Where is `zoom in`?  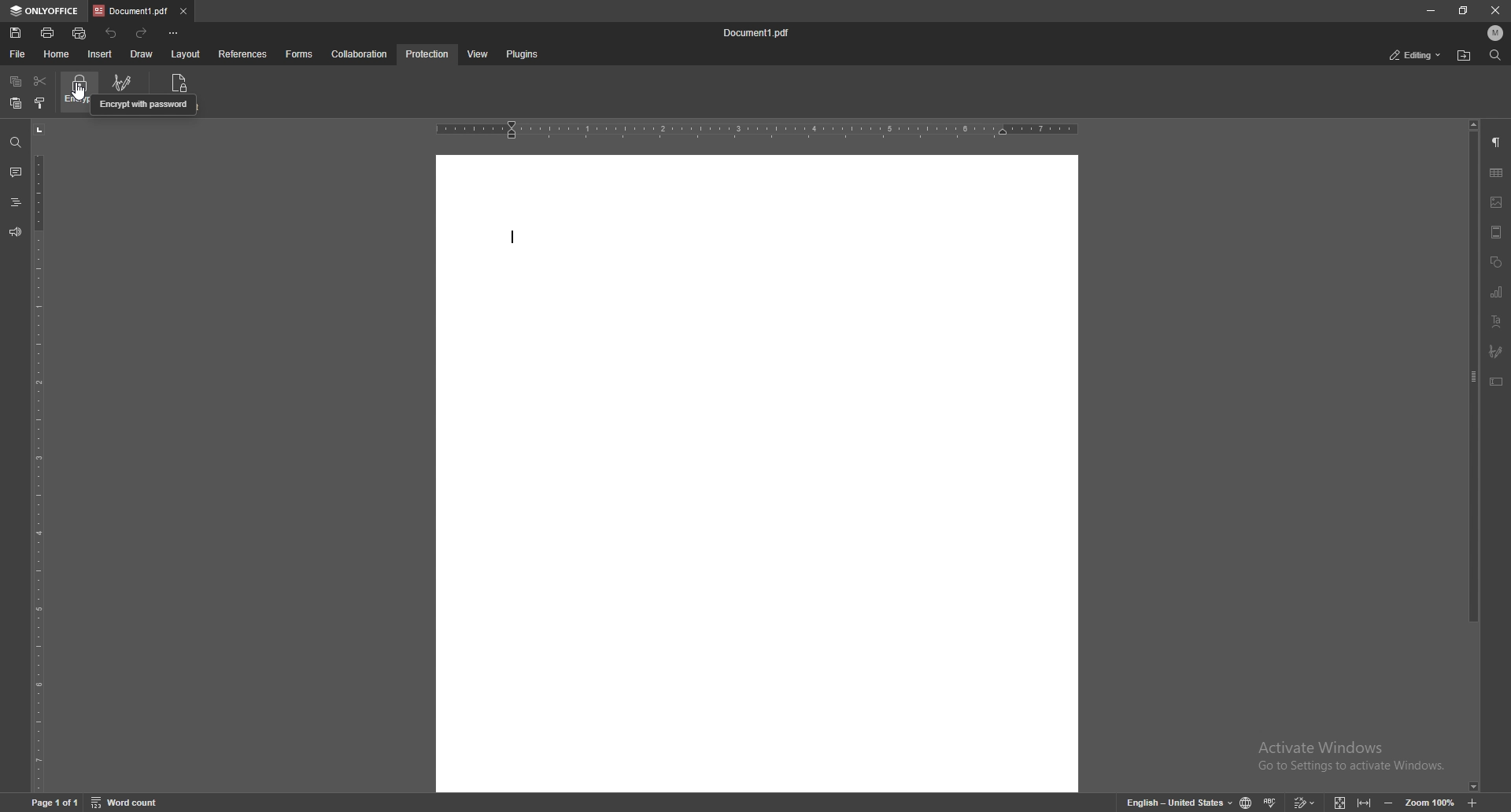
zoom in is located at coordinates (1474, 801).